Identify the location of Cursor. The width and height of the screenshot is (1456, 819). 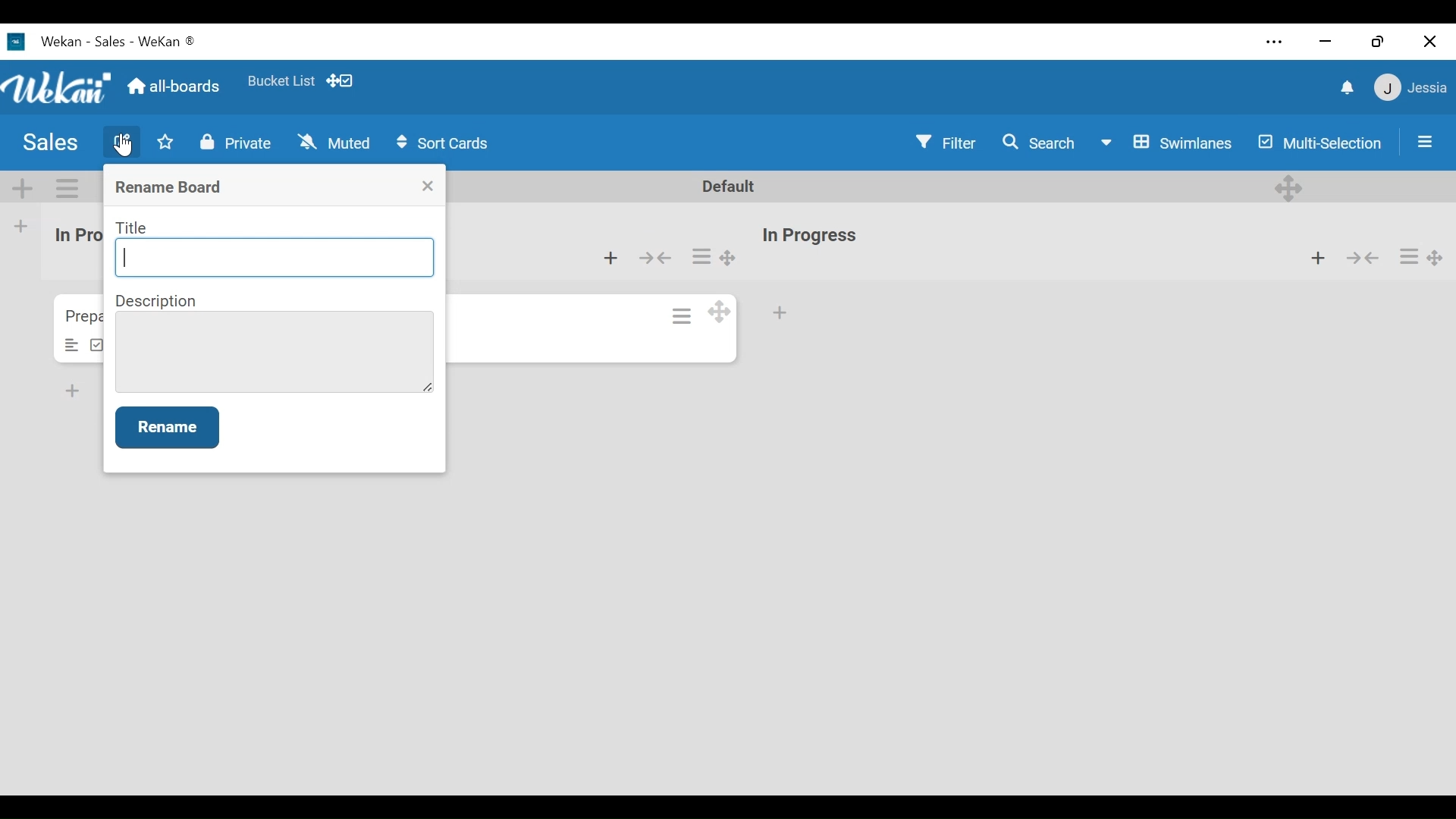
(125, 146).